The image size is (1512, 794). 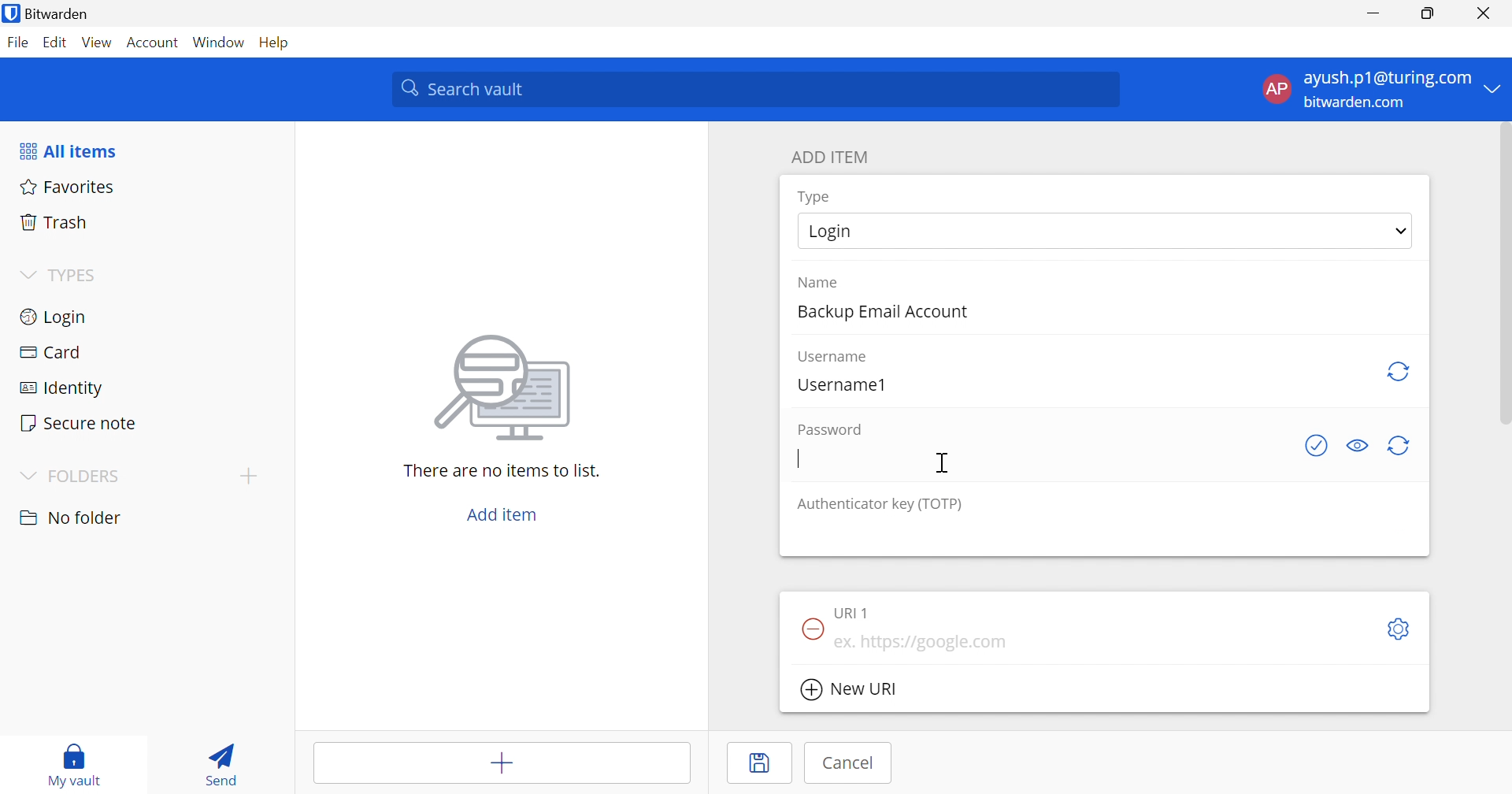 I want to click on Drop down, so click(x=1401, y=231).